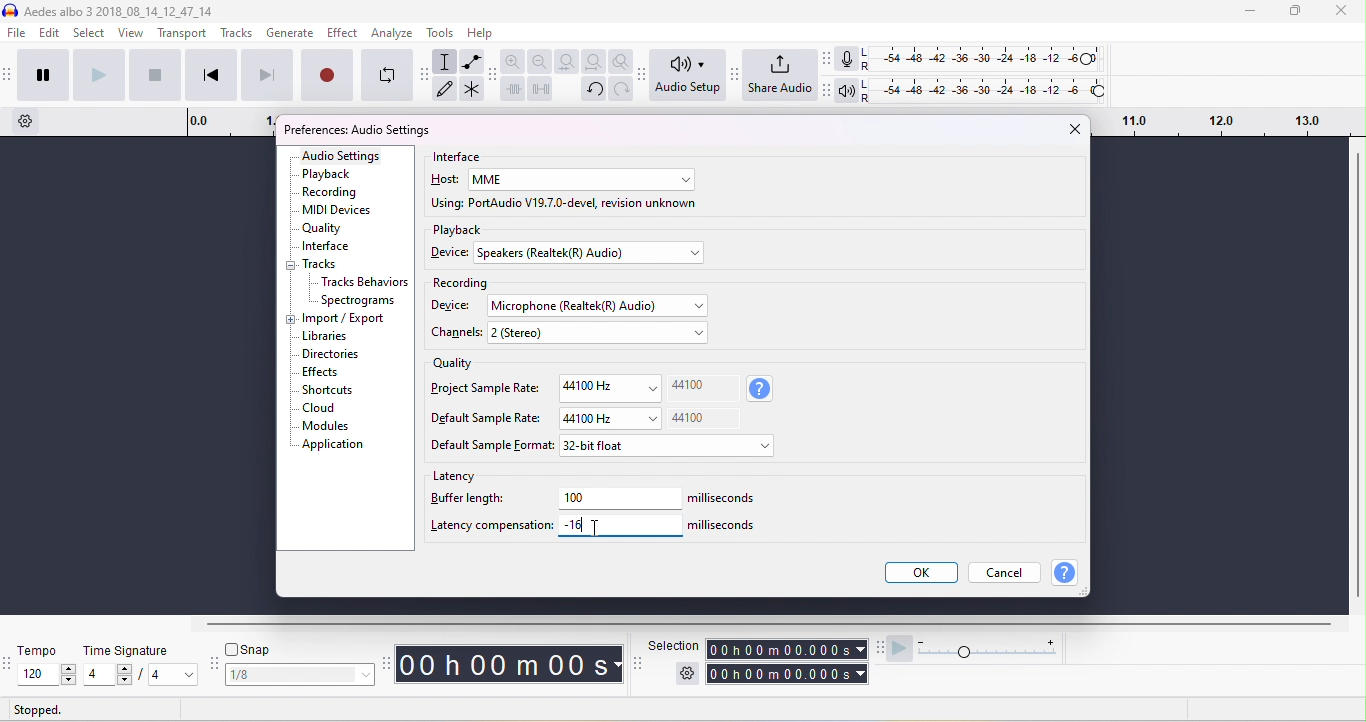 The image size is (1366, 722). What do you see at coordinates (643, 75) in the screenshot?
I see `Audacity audio setup toolbar` at bounding box center [643, 75].